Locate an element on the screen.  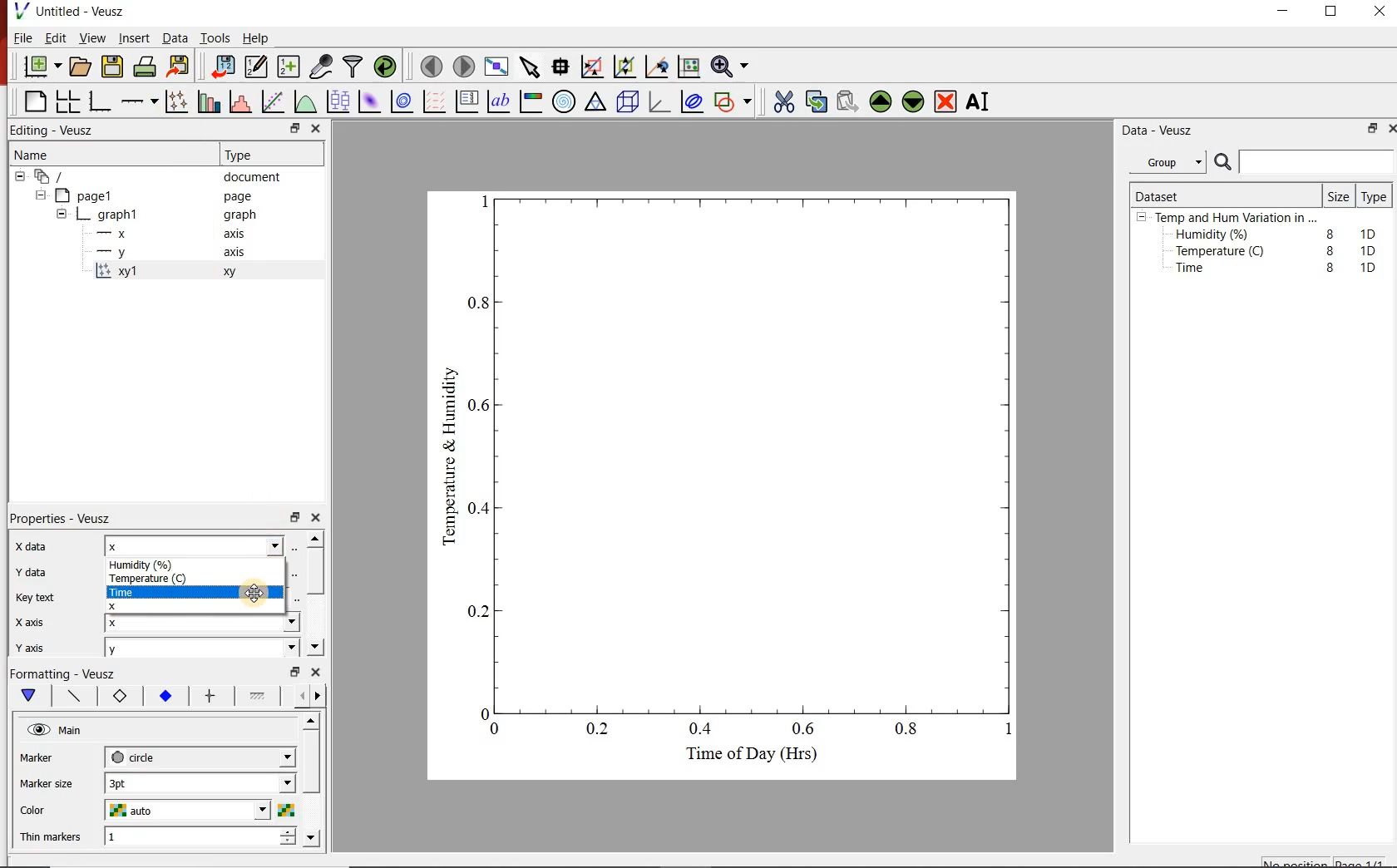
y is located at coordinates (136, 650).